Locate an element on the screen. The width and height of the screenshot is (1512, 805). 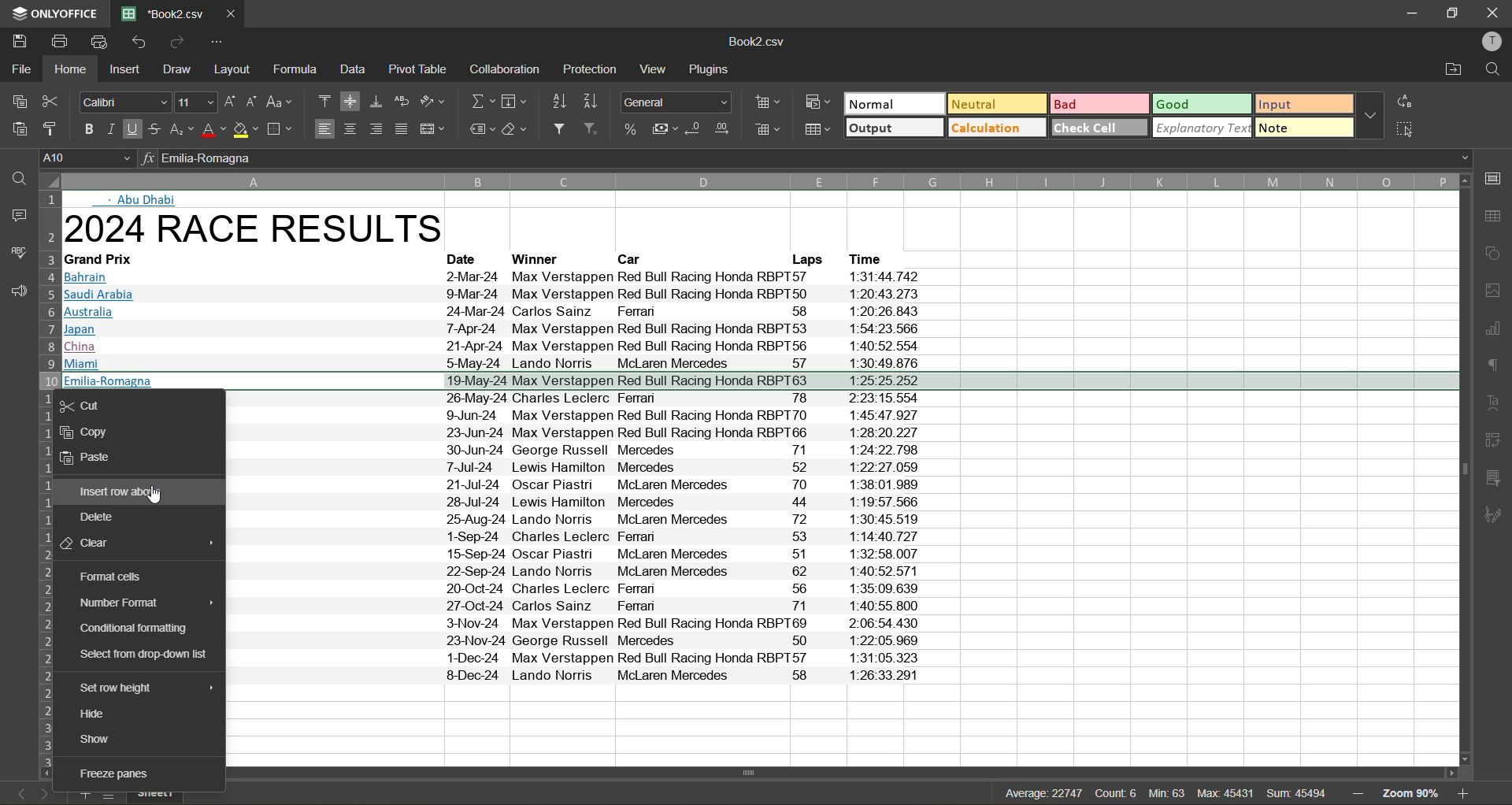
cursor is located at coordinates (155, 495).